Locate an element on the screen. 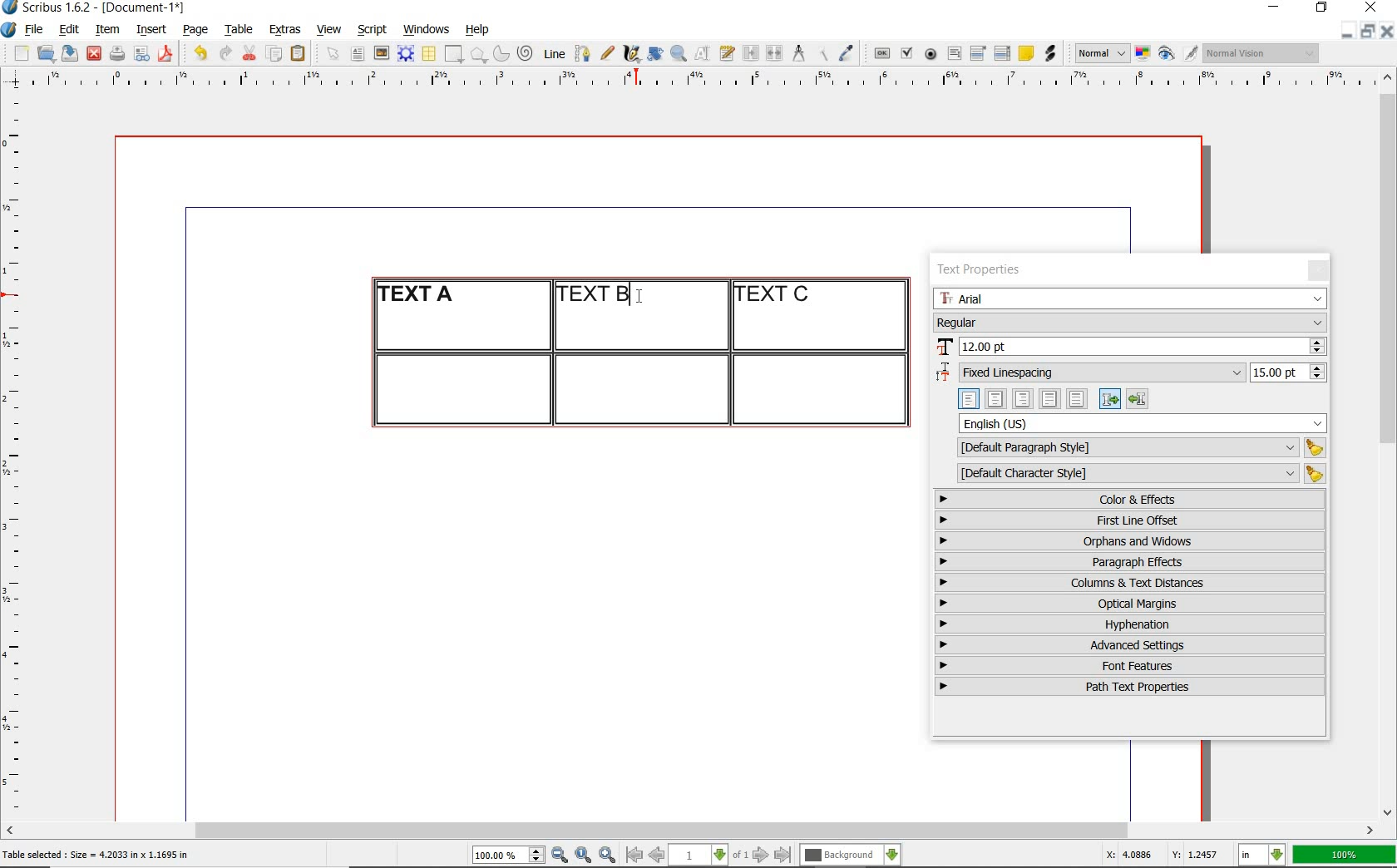 The image size is (1397, 868). Table selected : Size = 4.2033 in x 1.1695 in is located at coordinates (96, 854).